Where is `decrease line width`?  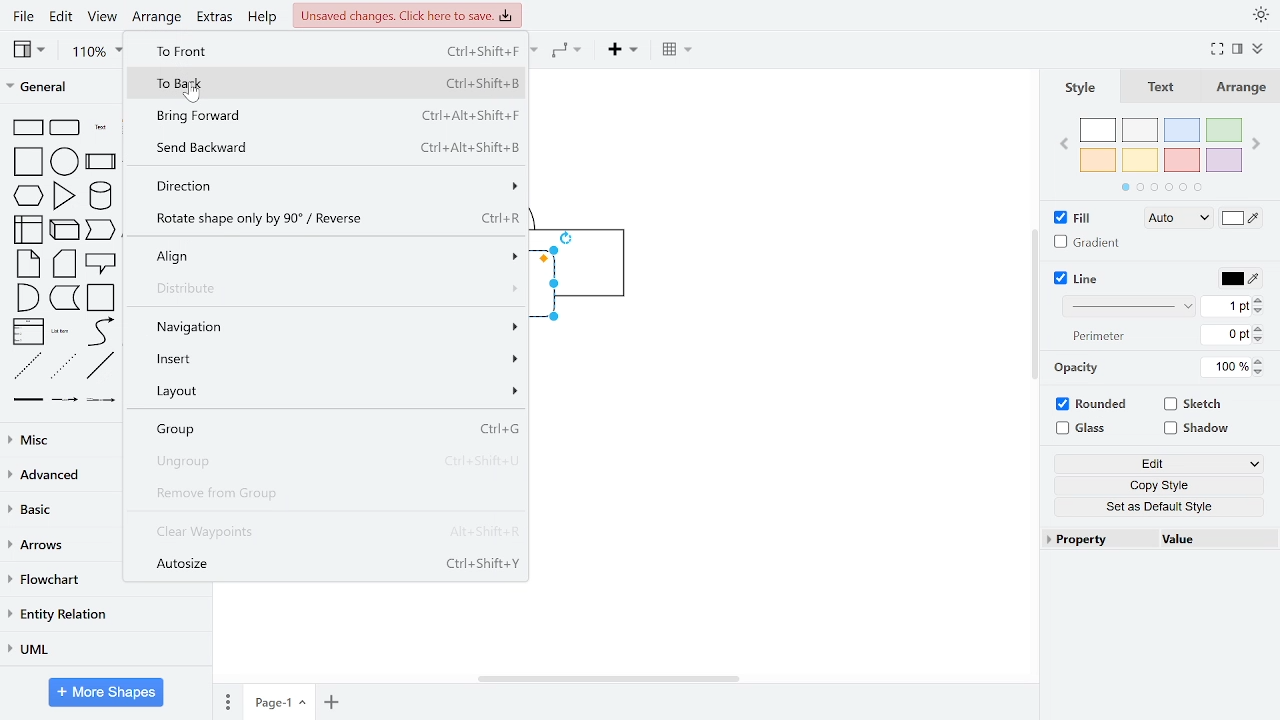
decrease line width is located at coordinates (1261, 312).